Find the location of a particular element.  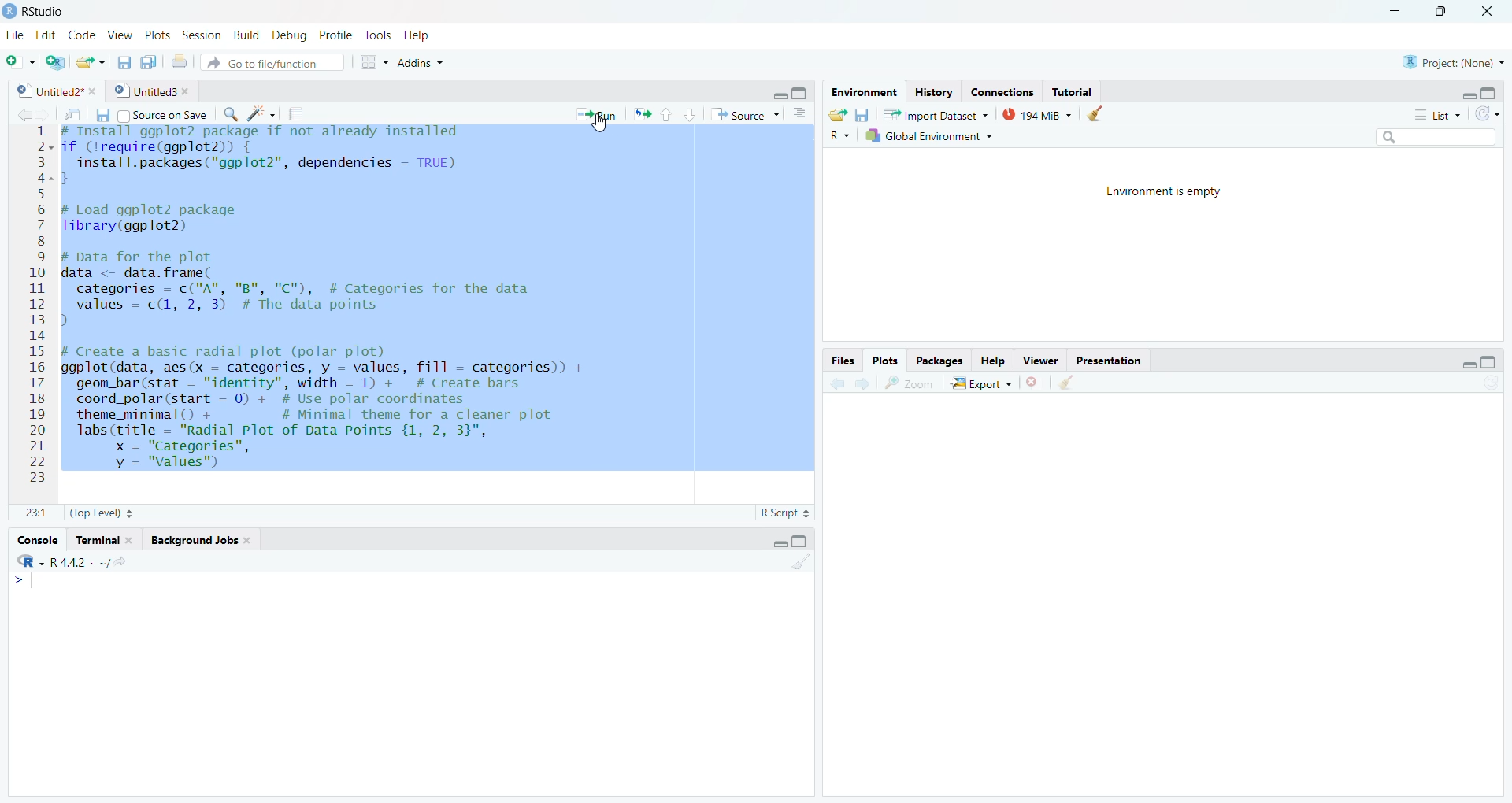

Tutorial is located at coordinates (1077, 92).